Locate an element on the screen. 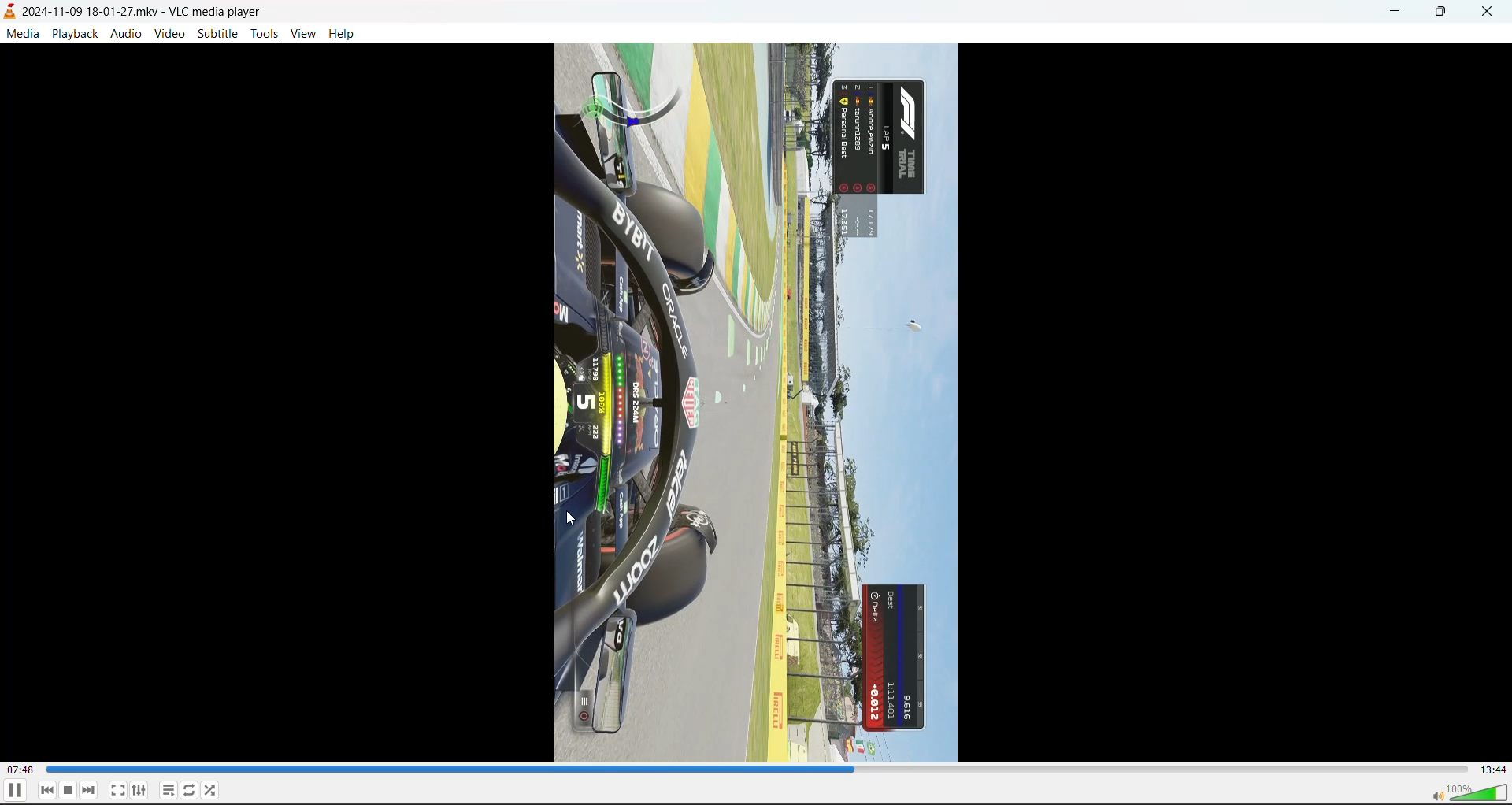 The width and height of the screenshot is (1512, 805). total track time is located at coordinates (1493, 770).